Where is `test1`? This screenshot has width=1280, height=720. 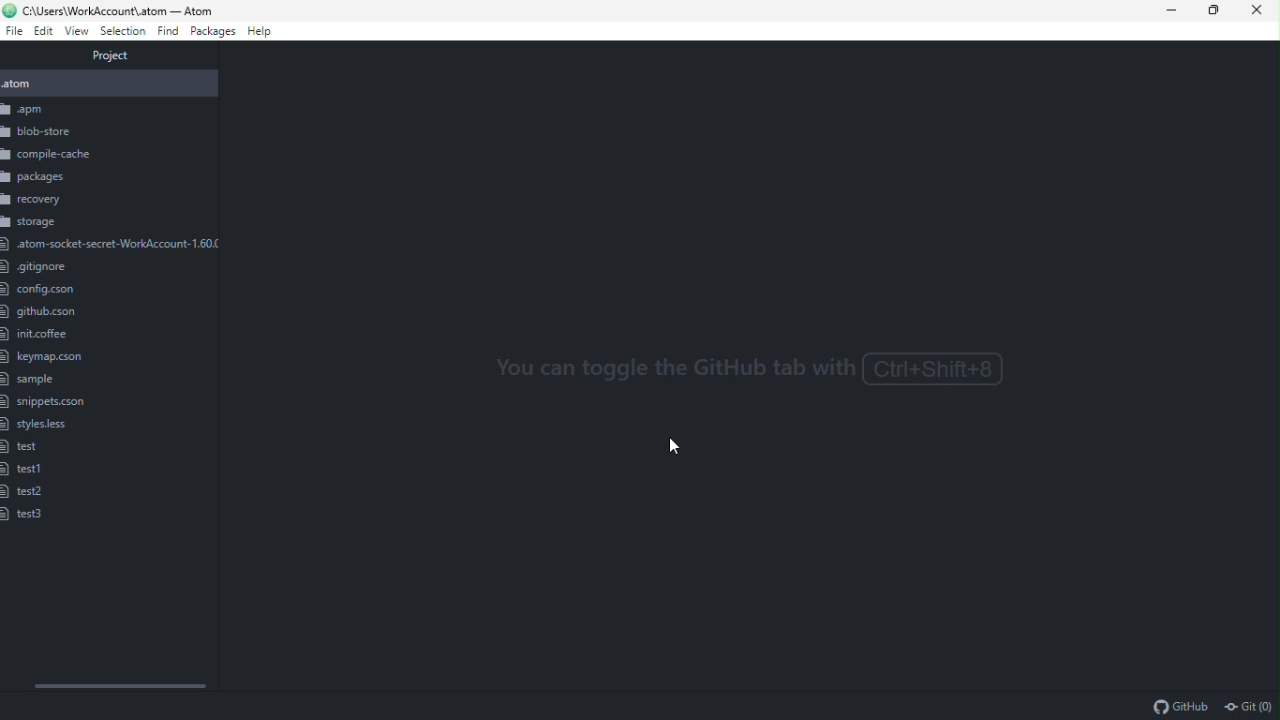
test1 is located at coordinates (24, 471).